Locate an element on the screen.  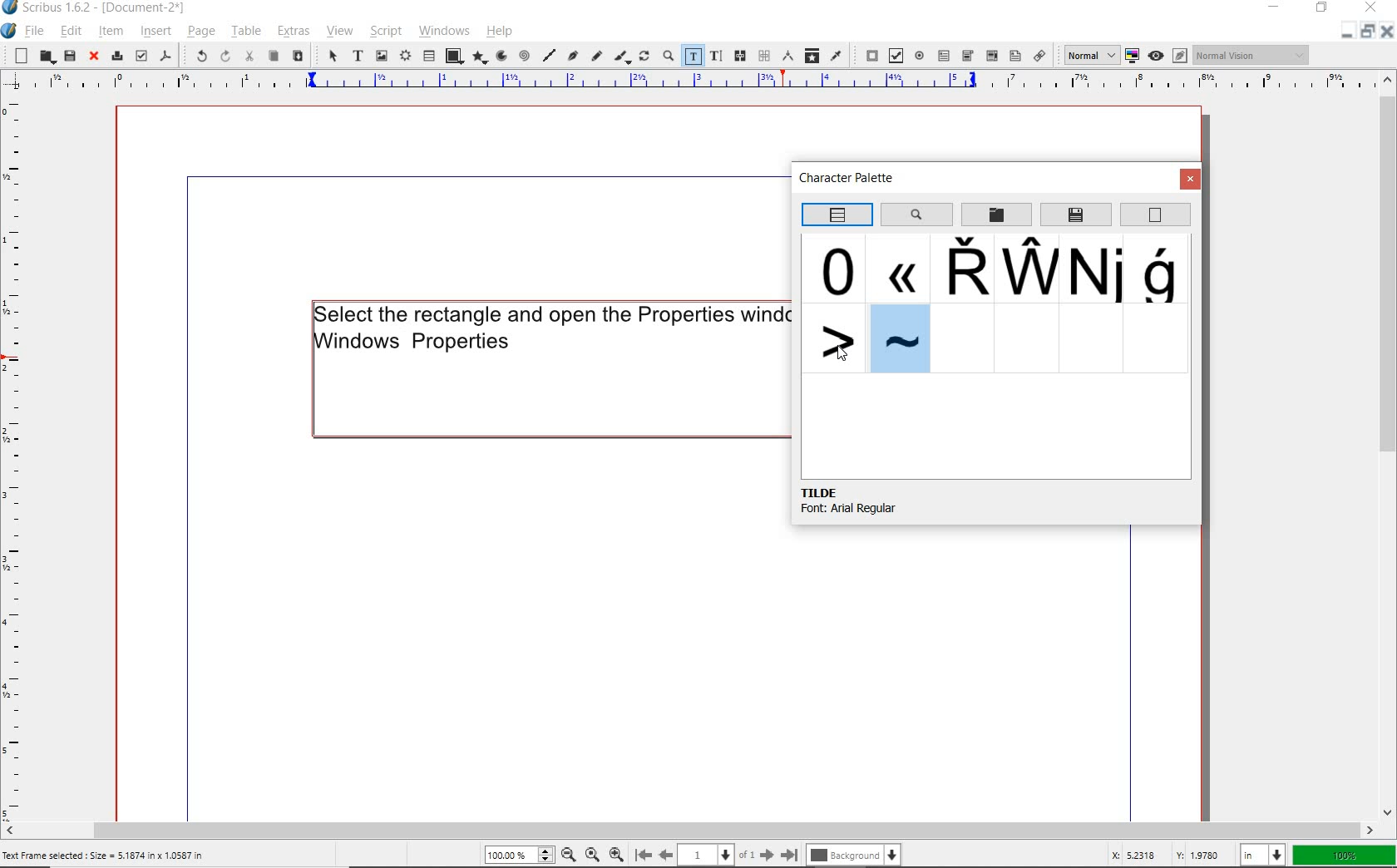
Text annotation is located at coordinates (1014, 57).